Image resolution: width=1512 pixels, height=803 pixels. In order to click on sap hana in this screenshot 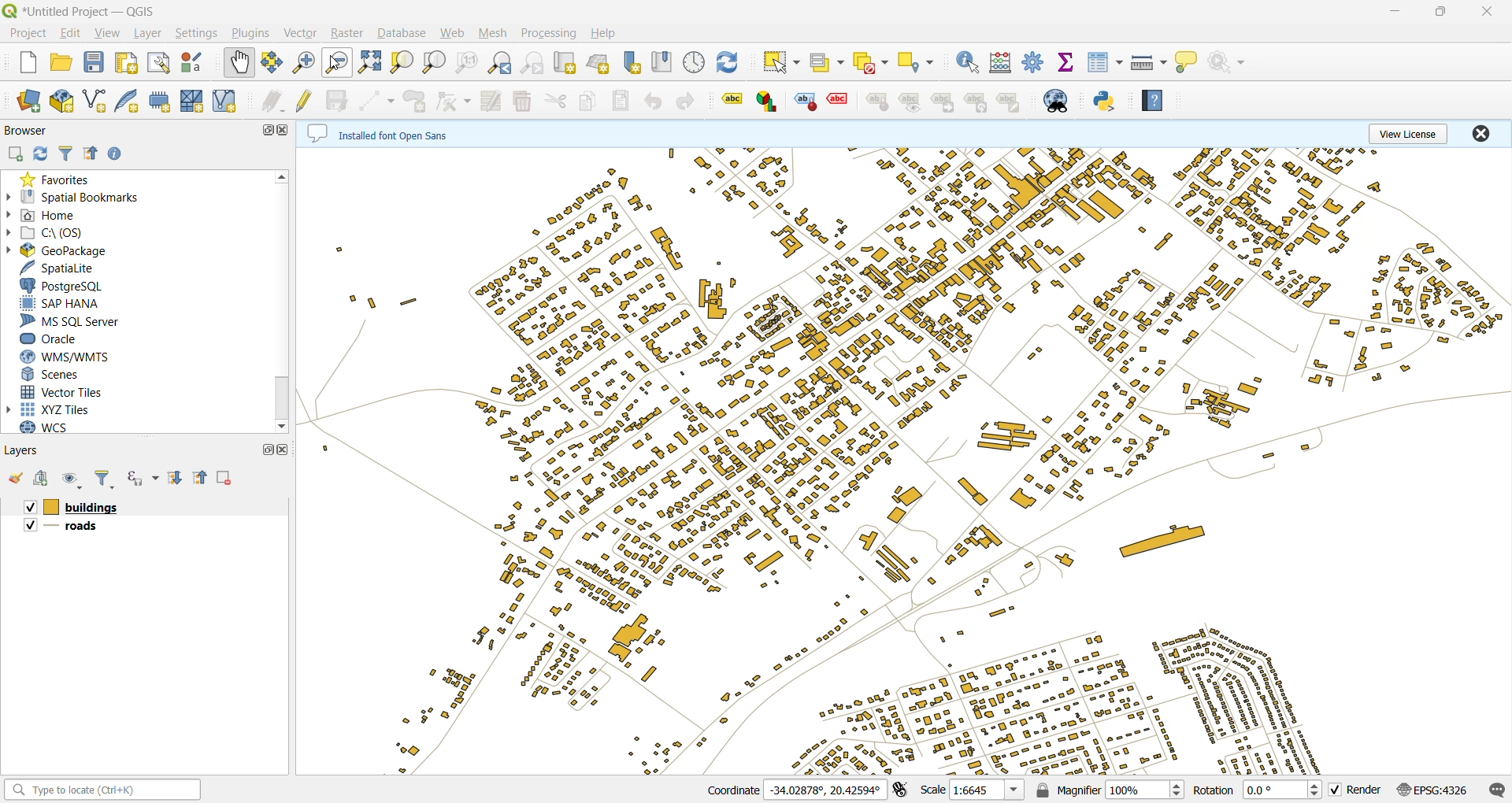, I will do `click(66, 303)`.